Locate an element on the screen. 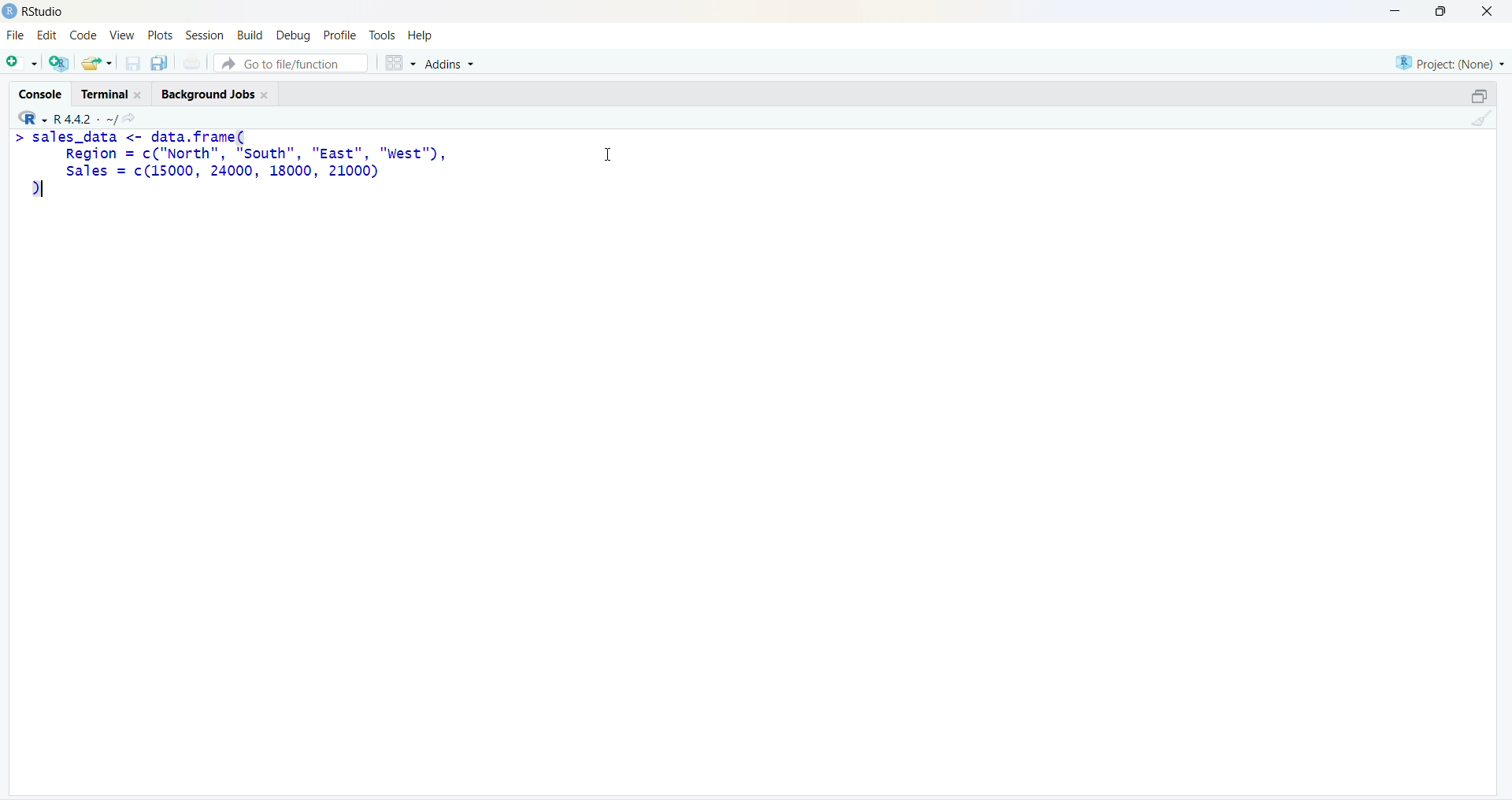  Help is located at coordinates (423, 36).